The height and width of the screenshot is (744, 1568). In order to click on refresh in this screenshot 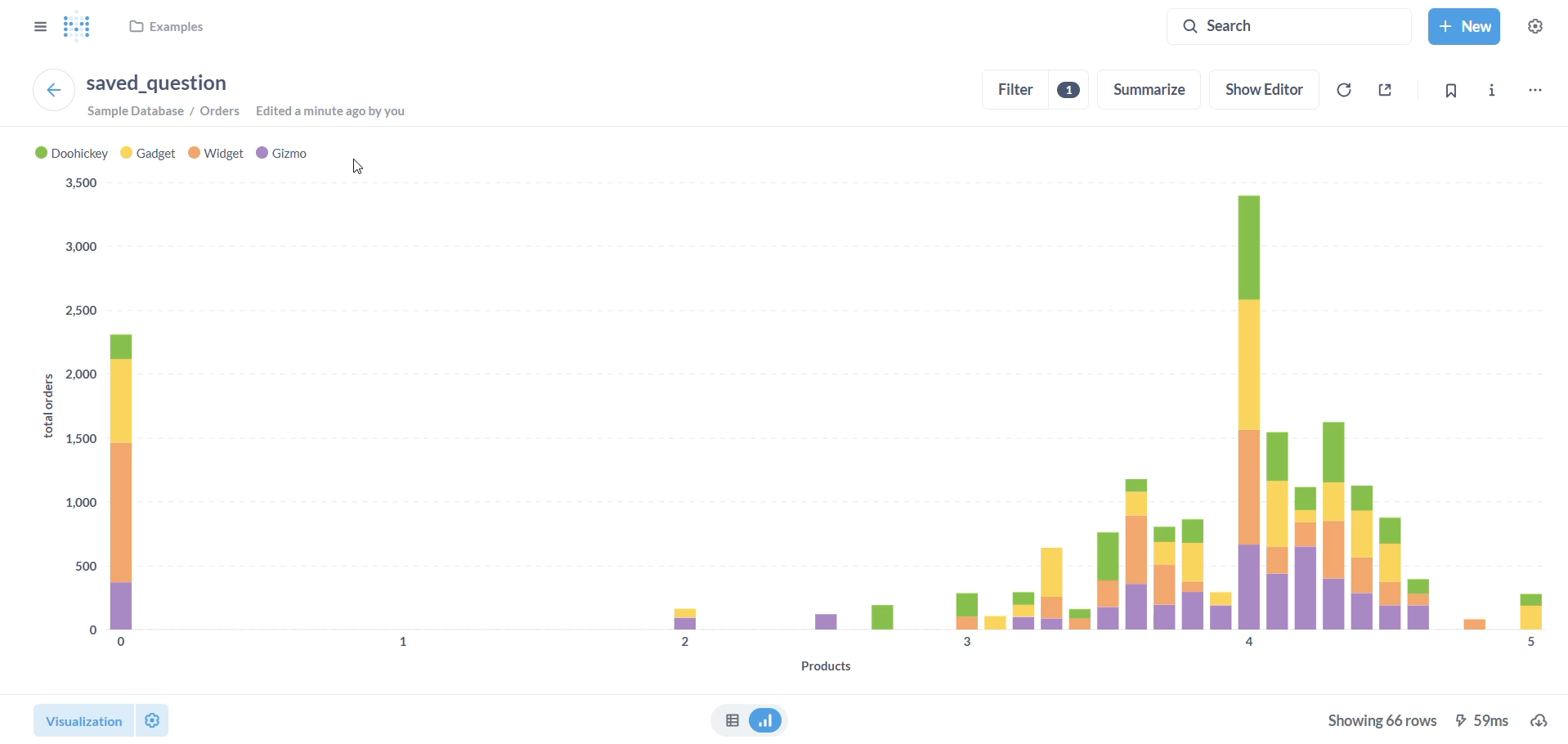, I will do `click(1342, 92)`.